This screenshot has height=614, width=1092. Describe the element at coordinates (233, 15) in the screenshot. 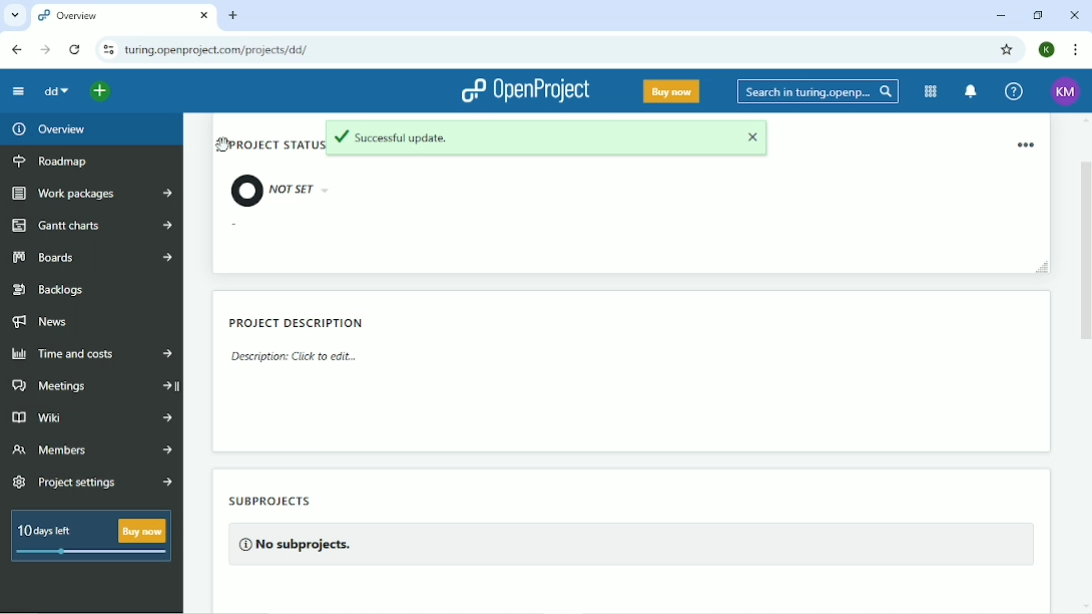

I see `New tab` at that location.